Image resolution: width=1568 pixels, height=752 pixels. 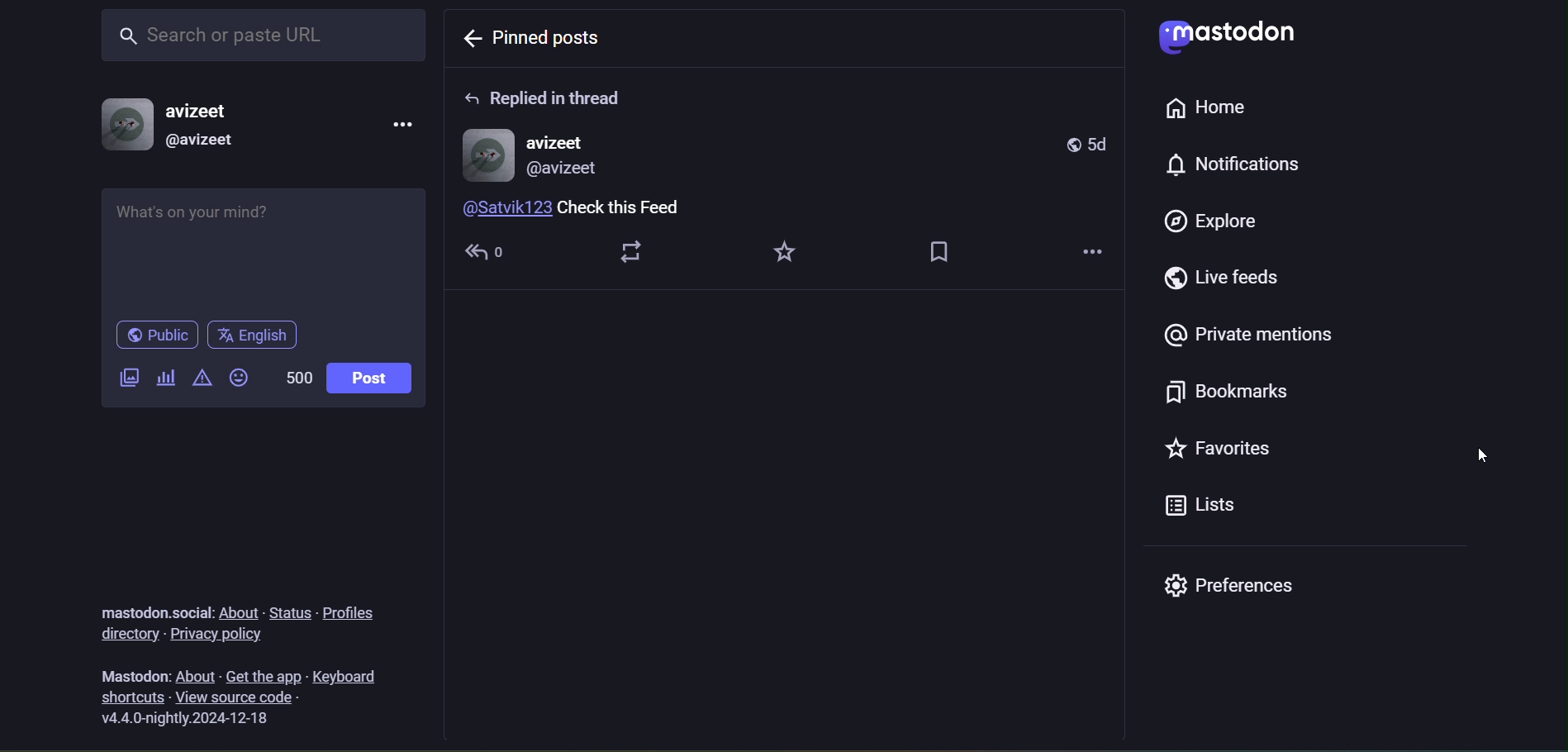 What do you see at coordinates (1235, 164) in the screenshot?
I see `notification` at bounding box center [1235, 164].